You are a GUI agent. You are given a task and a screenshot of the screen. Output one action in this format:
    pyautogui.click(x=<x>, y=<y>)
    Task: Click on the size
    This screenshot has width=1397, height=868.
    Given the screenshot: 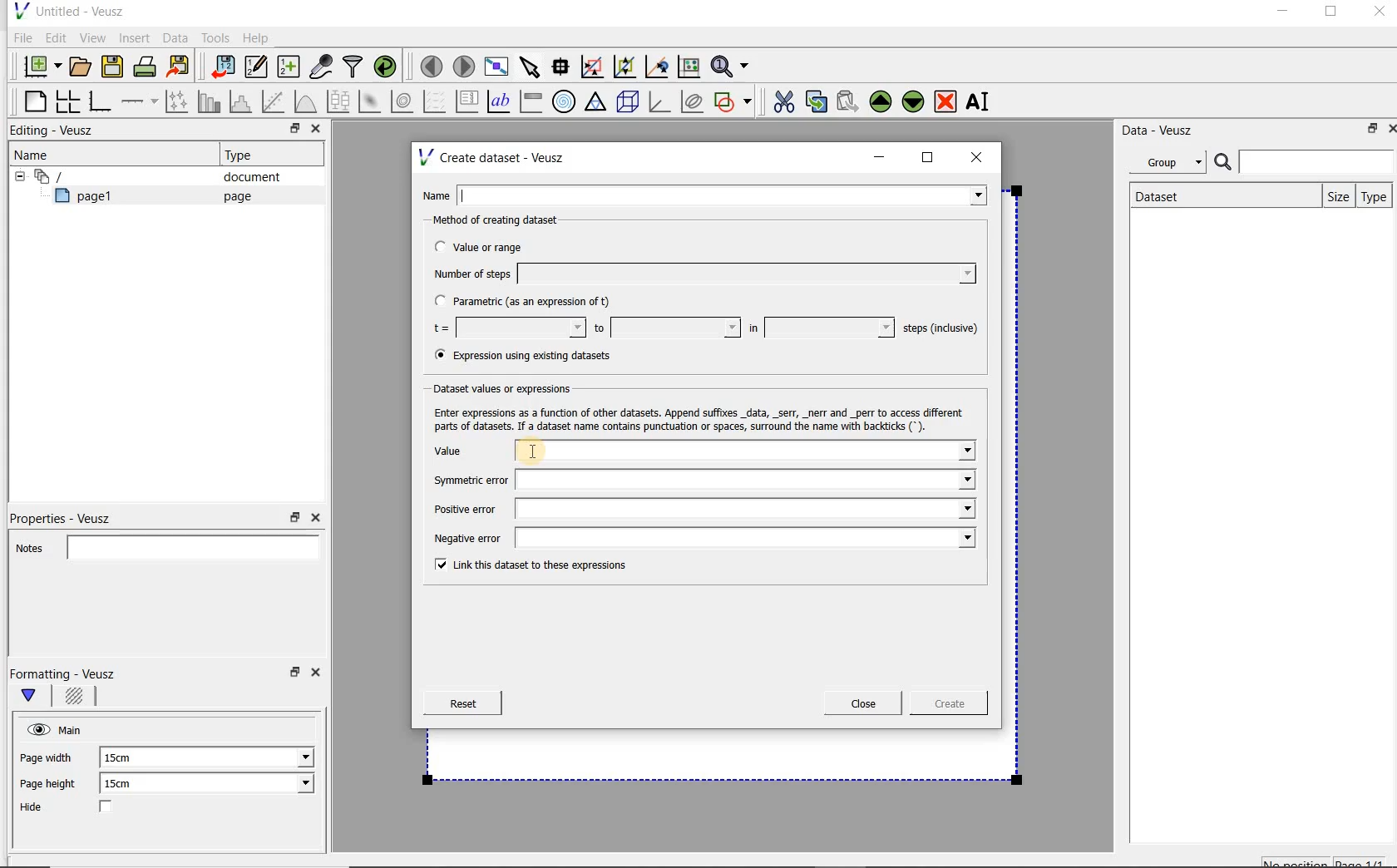 What is the action you would take?
    pyautogui.click(x=1335, y=195)
    